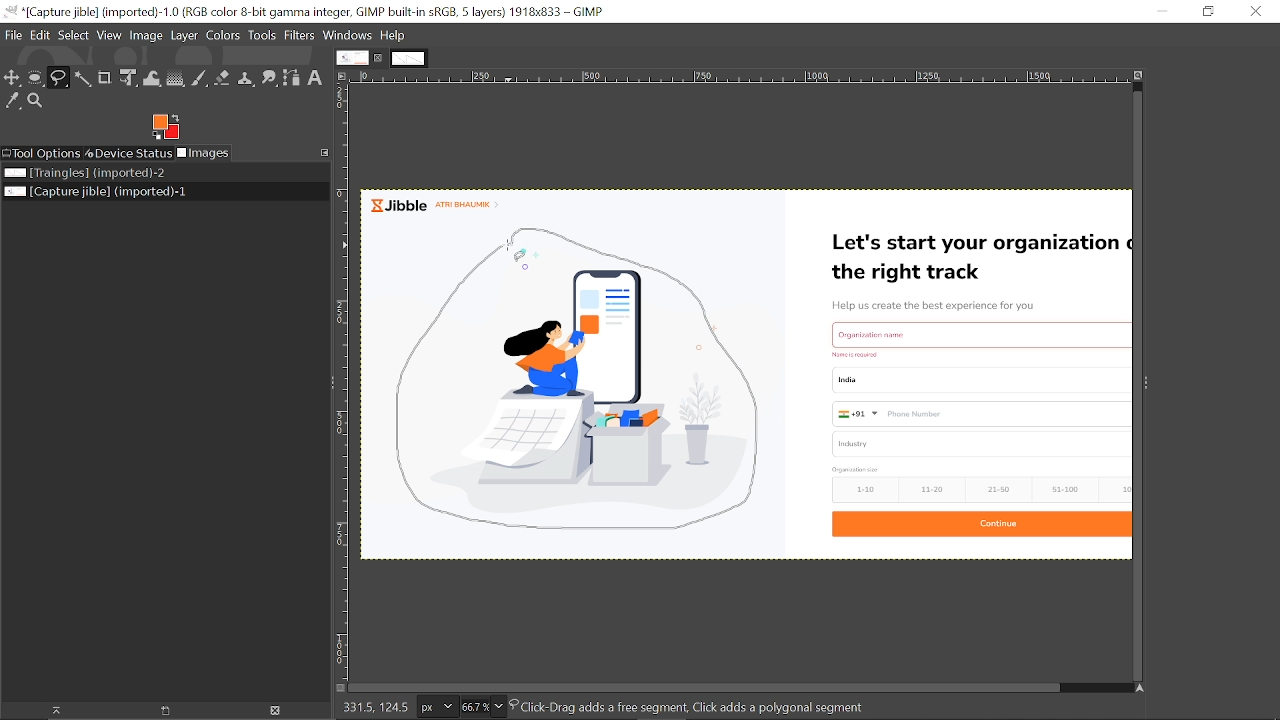  I want to click on layer details, so click(693, 708).